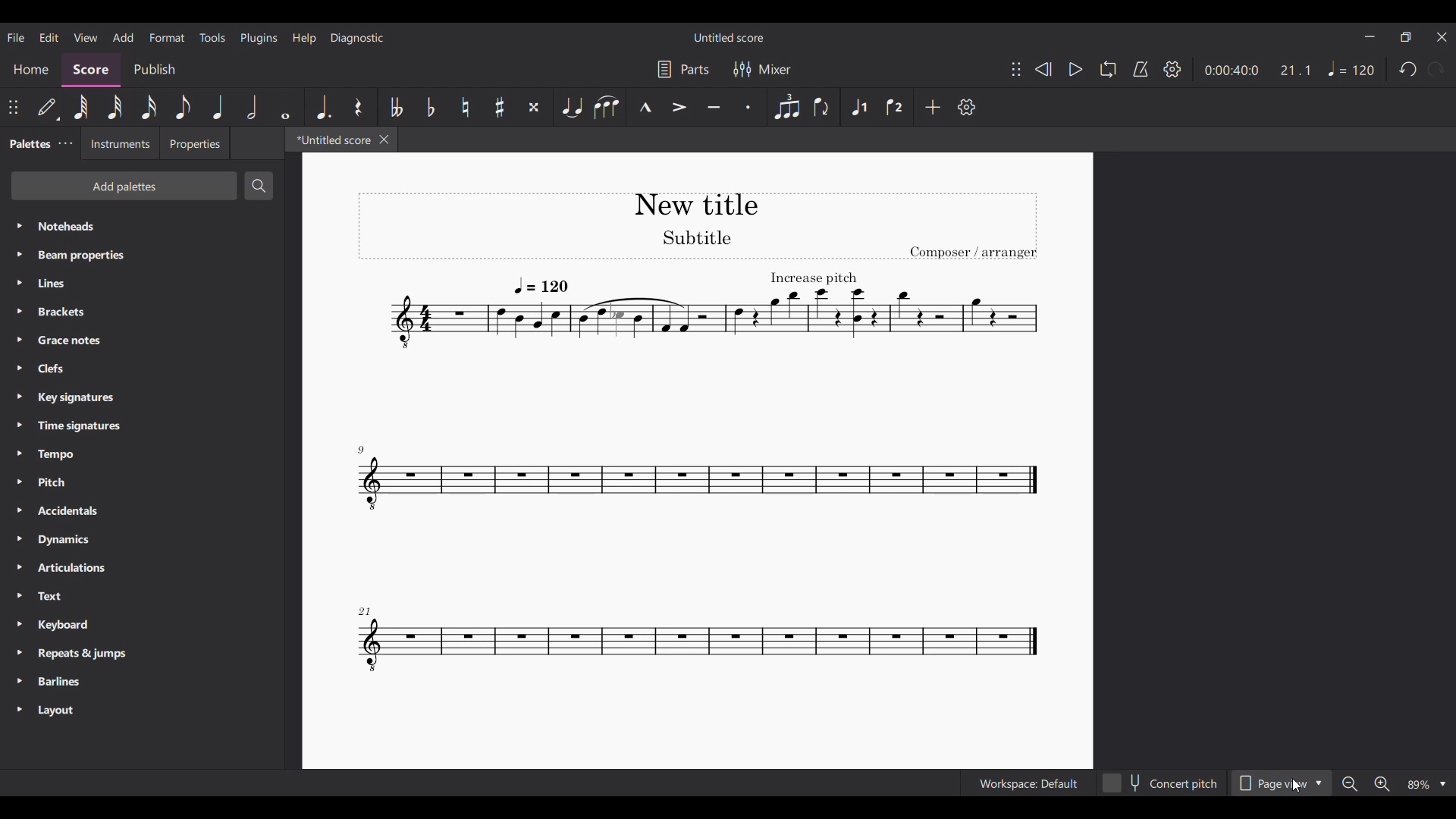 The width and height of the screenshot is (1456, 819). I want to click on Repeats & jumps, so click(143, 654).